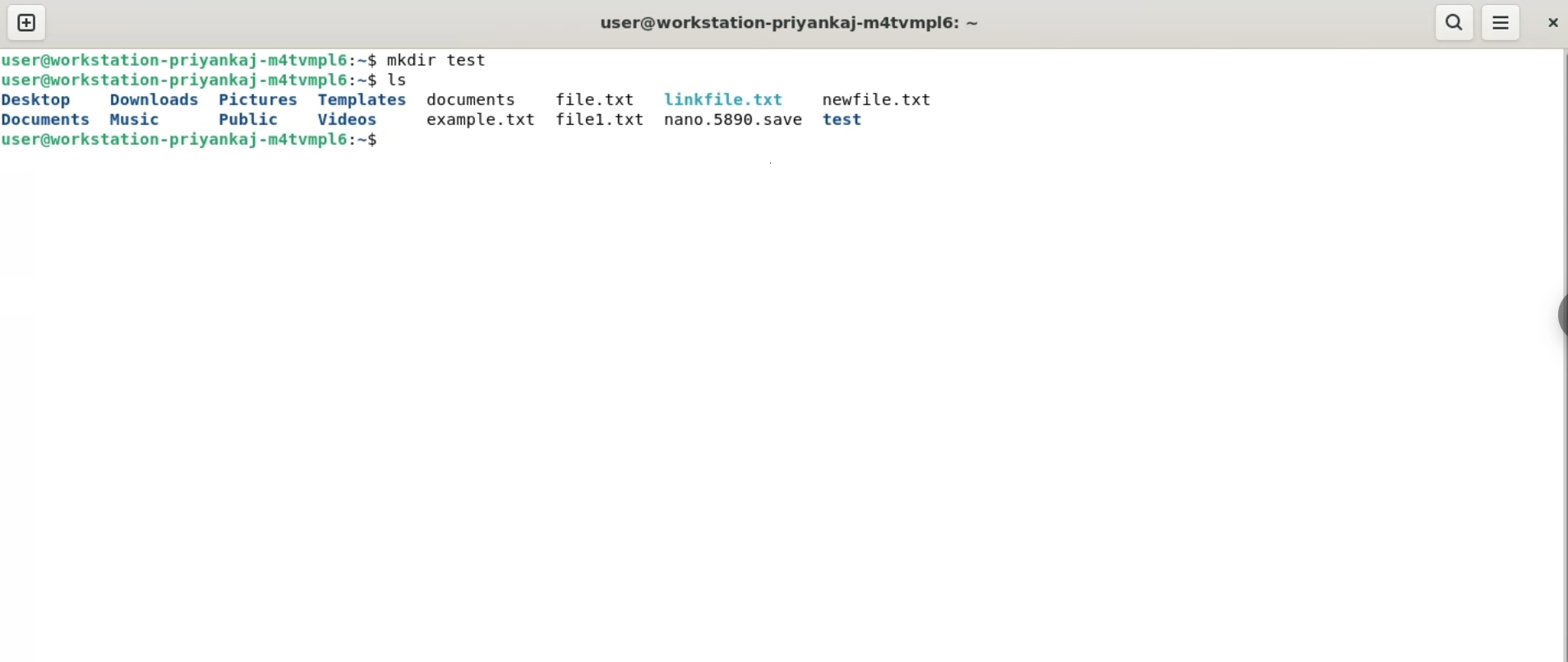  What do you see at coordinates (593, 99) in the screenshot?
I see `file,txt` at bounding box center [593, 99].